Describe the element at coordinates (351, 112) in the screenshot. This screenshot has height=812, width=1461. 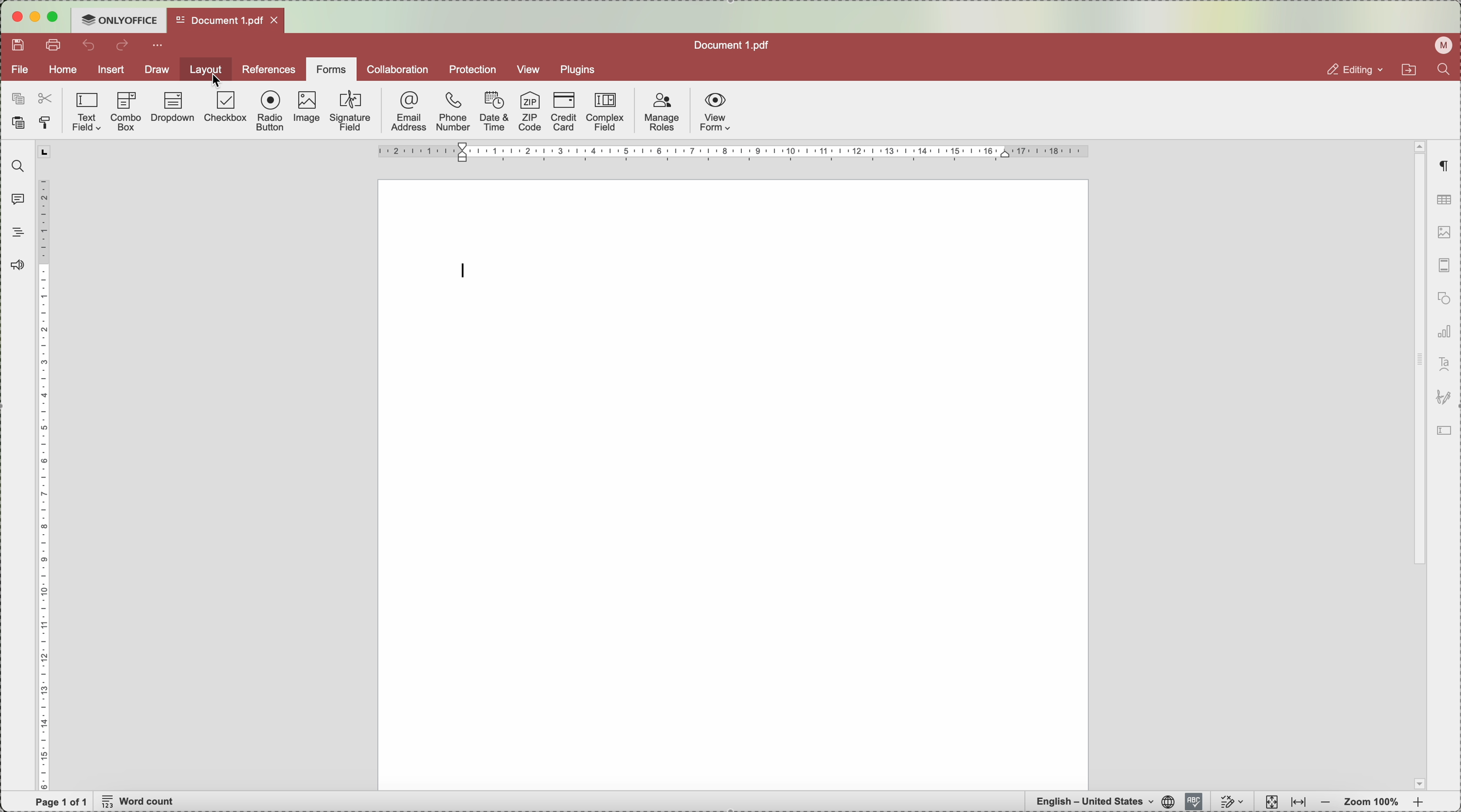
I see `signature field` at that location.